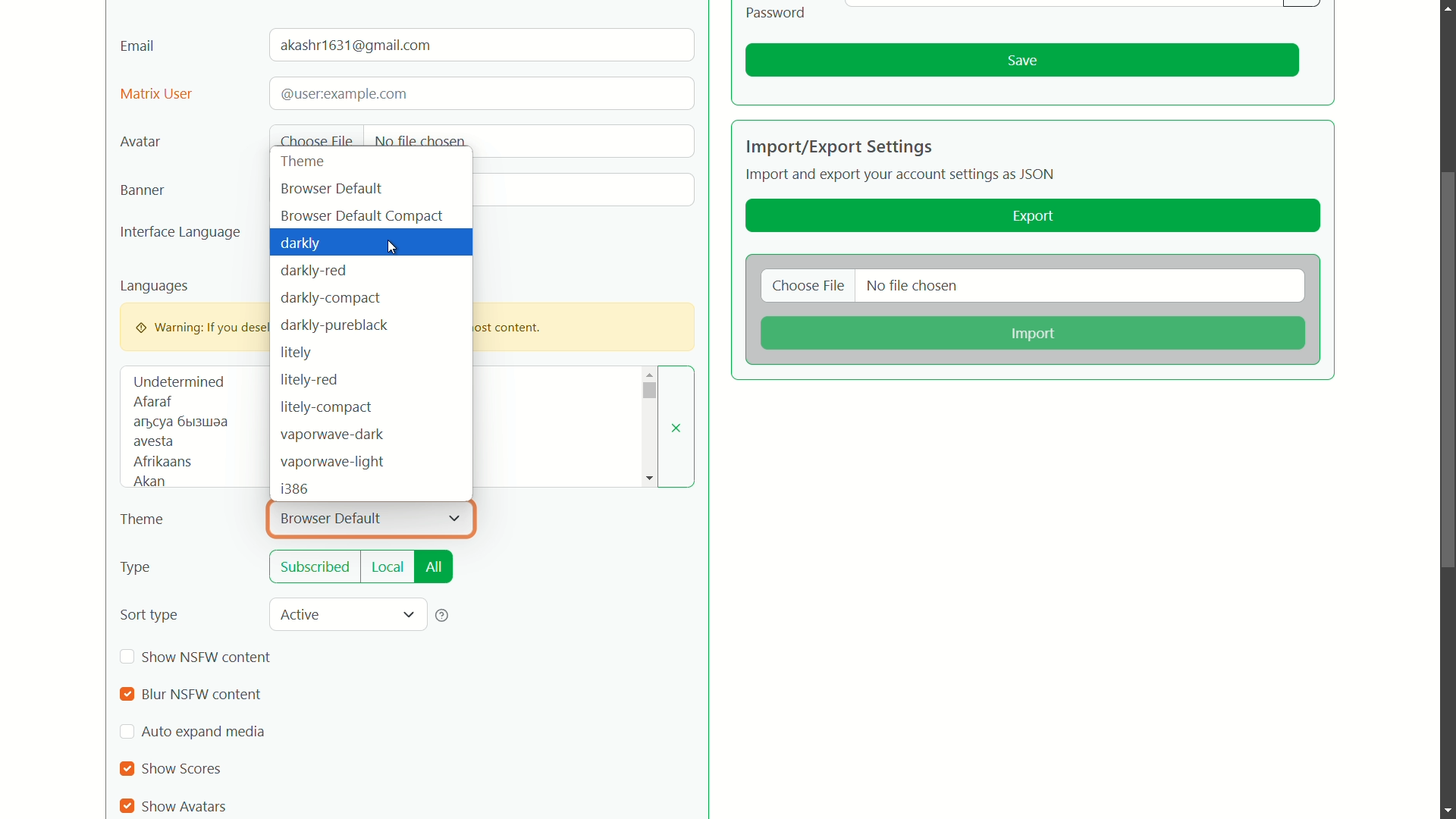 The height and width of the screenshot is (819, 1456). What do you see at coordinates (181, 422) in the screenshot?
I see `text` at bounding box center [181, 422].